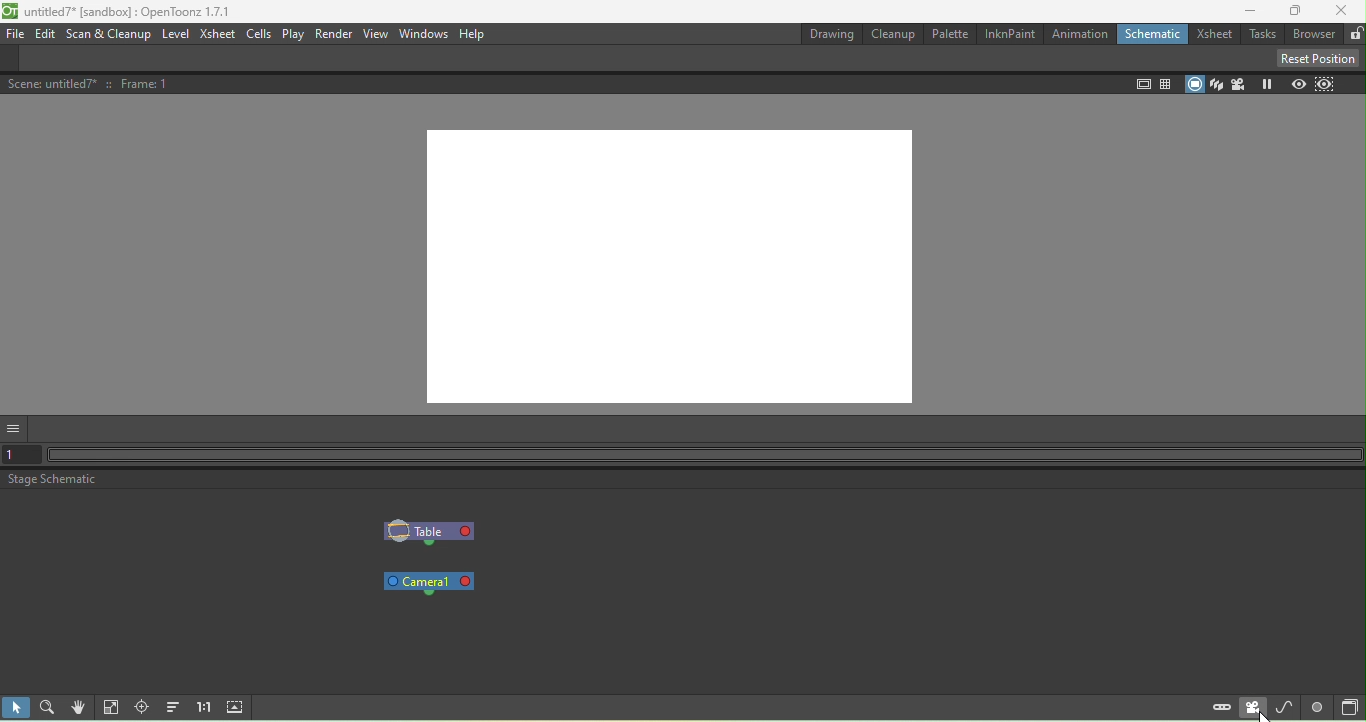  What do you see at coordinates (474, 34) in the screenshot?
I see `Help` at bounding box center [474, 34].